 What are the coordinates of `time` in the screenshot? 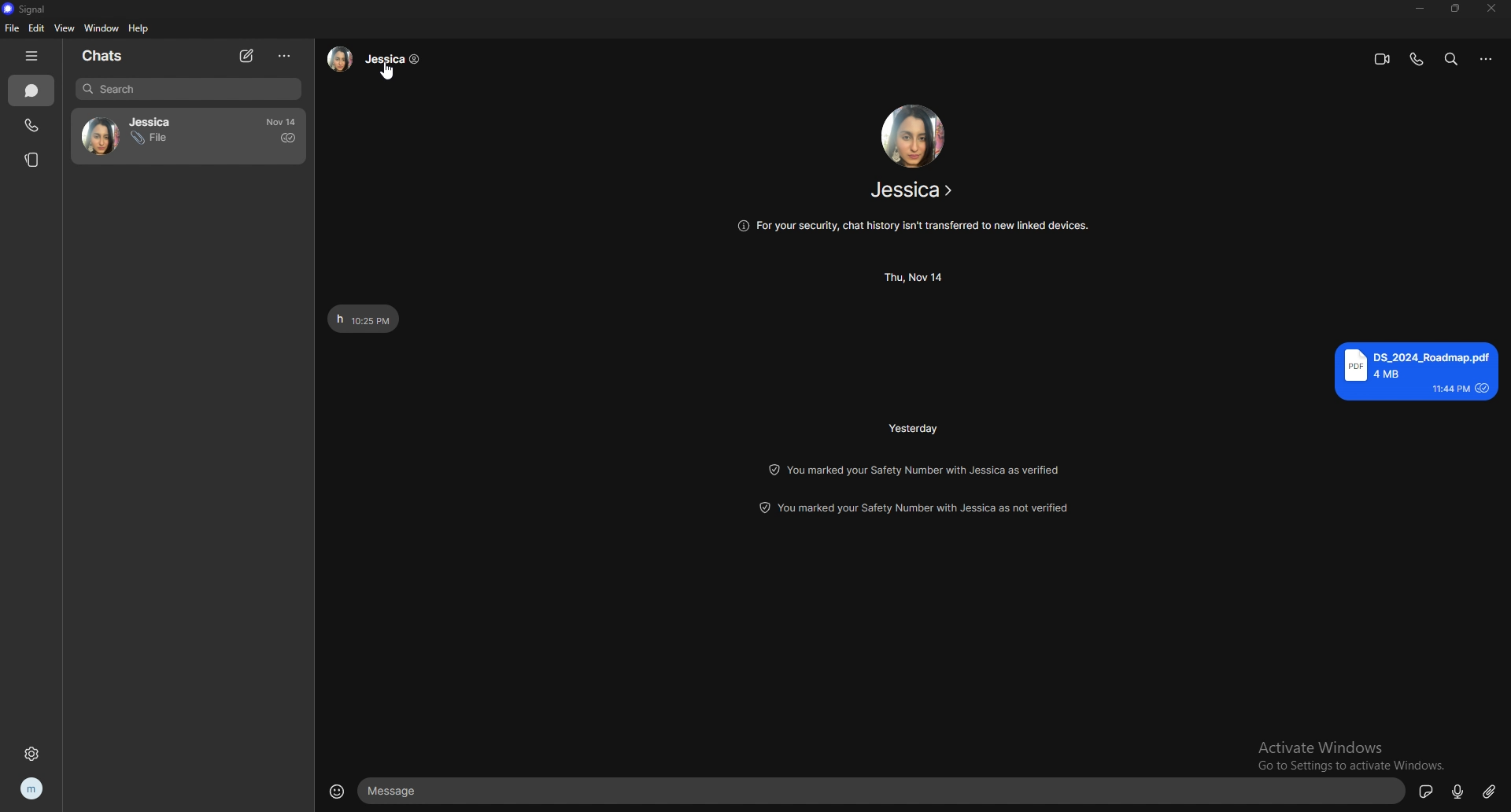 It's located at (281, 122).